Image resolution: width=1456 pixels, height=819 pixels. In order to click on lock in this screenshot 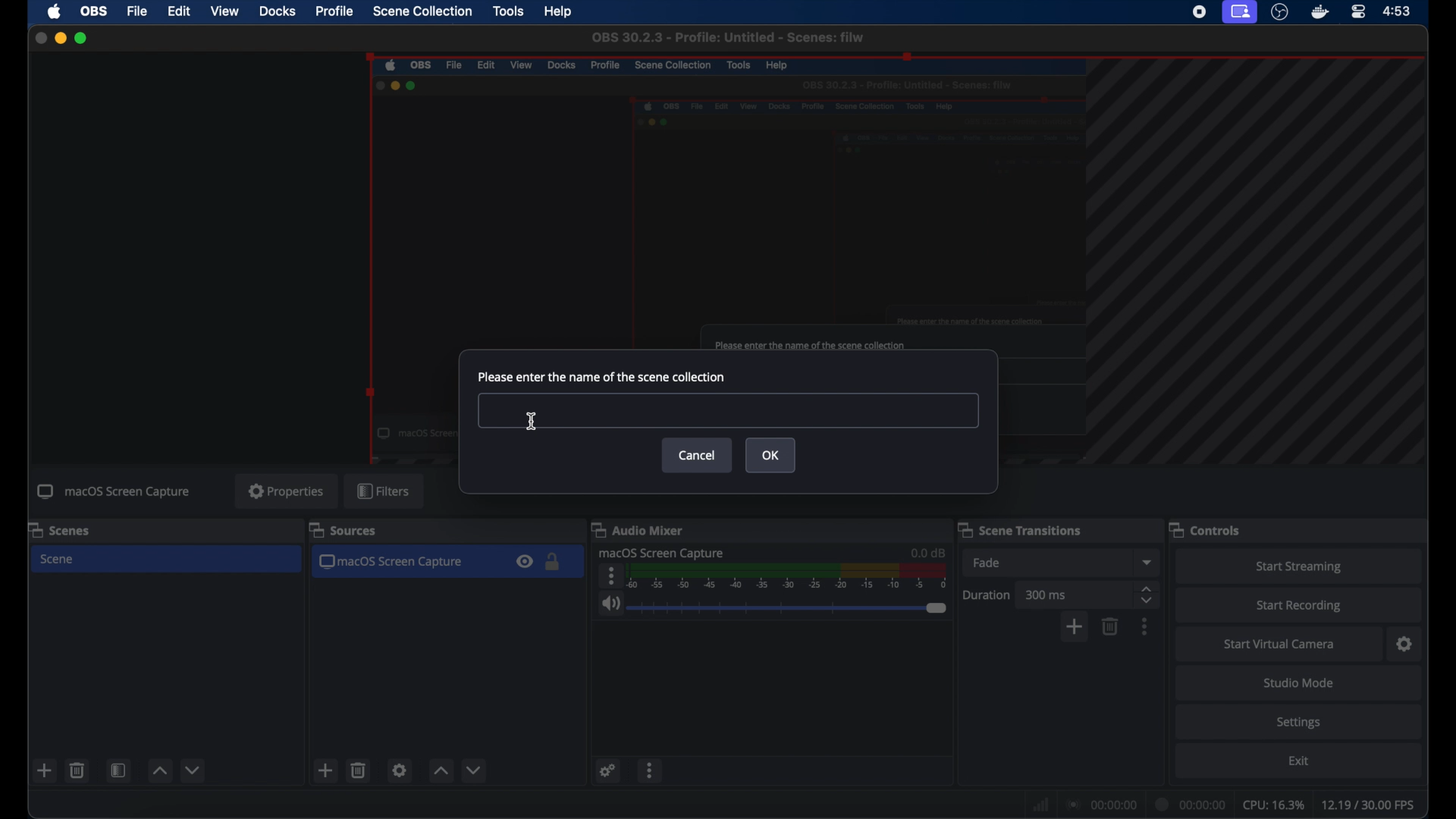, I will do `click(554, 563)`.